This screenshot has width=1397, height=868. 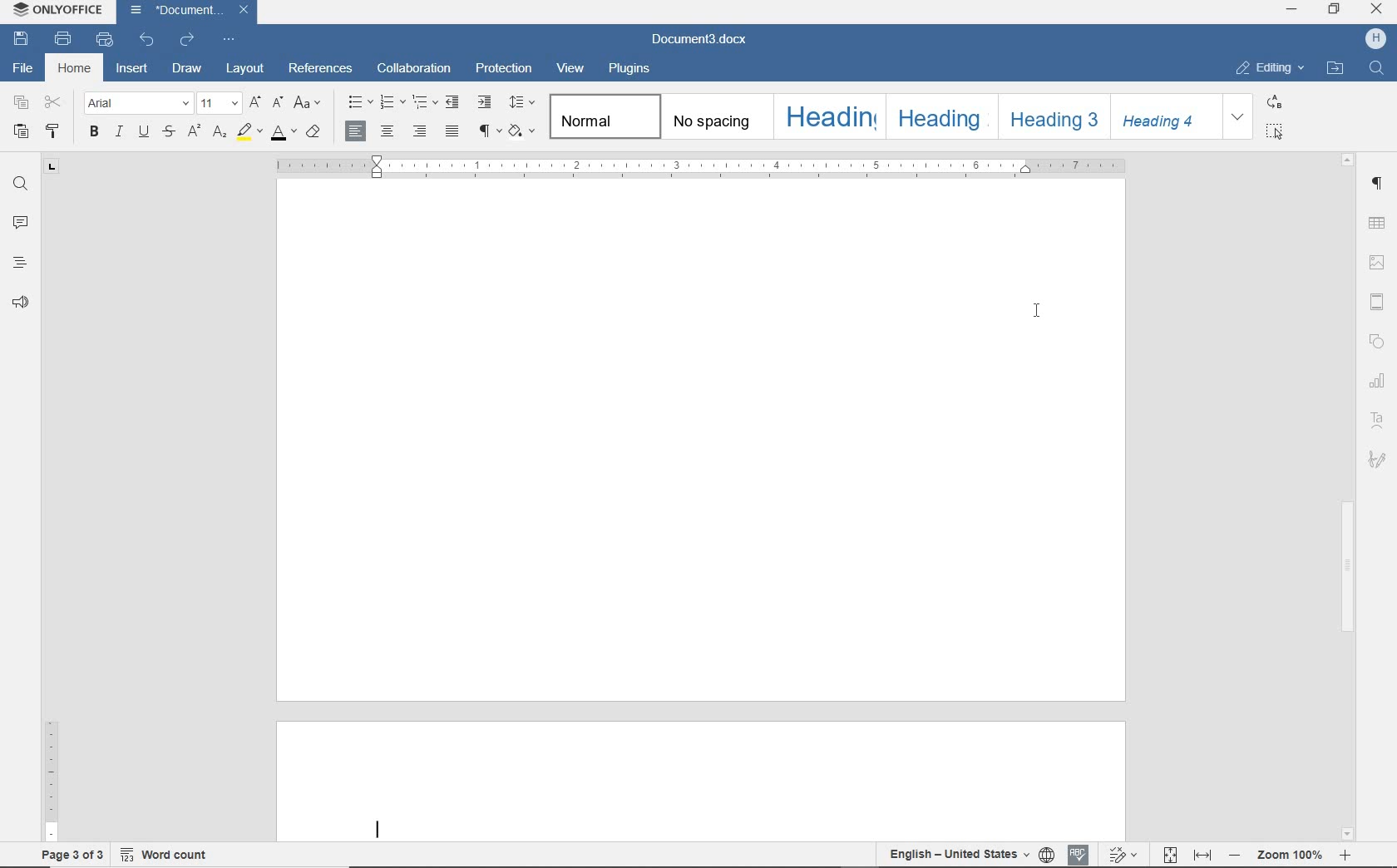 I want to click on JUSTIFIED, so click(x=453, y=131).